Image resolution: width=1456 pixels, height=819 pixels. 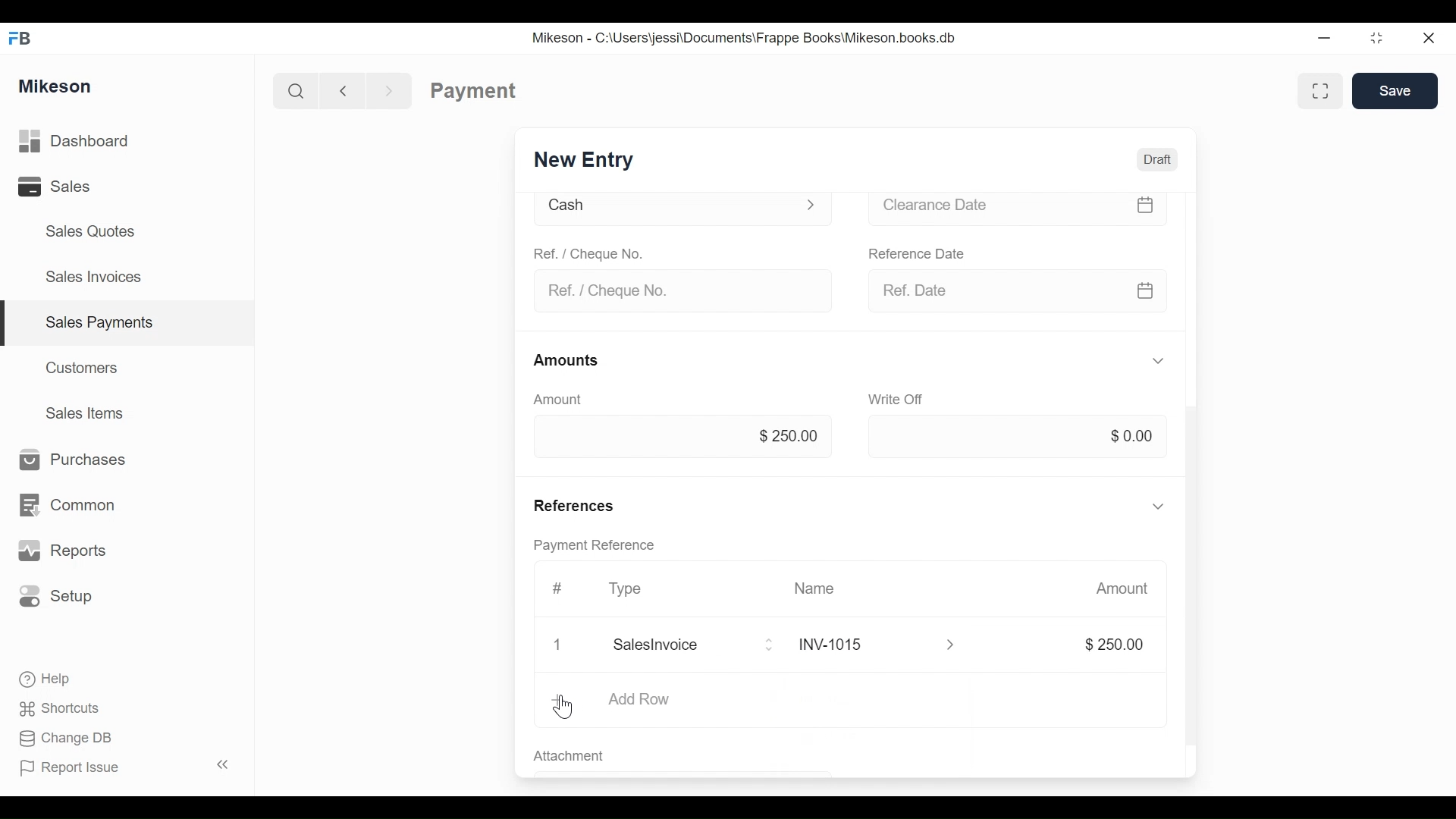 What do you see at coordinates (75, 497) in the screenshot?
I see `Common` at bounding box center [75, 497].